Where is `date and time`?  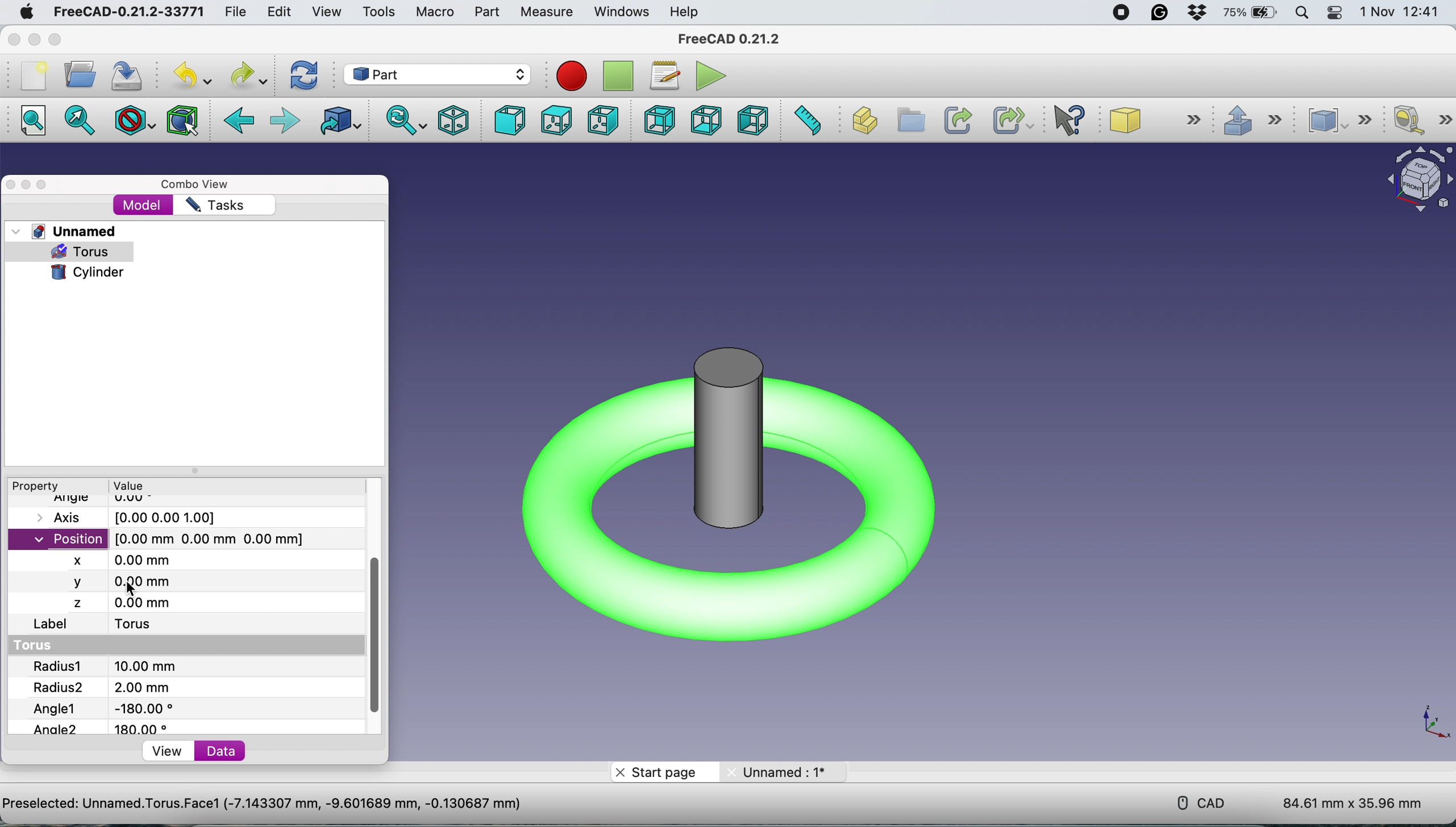 date and time is located at coordinates (1404, 12).